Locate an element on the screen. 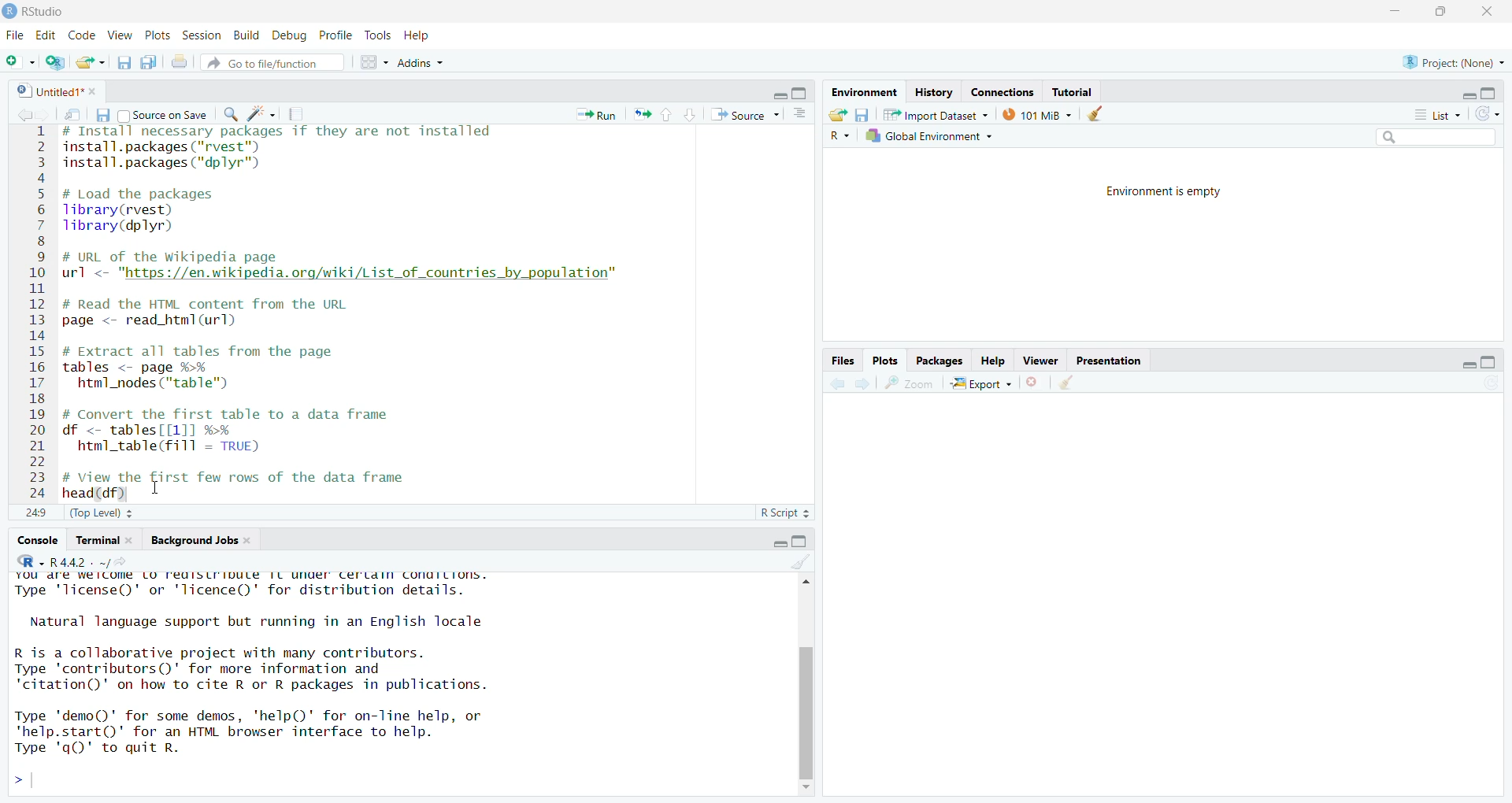 This screenshot has height=803, width=1512. search is located at coordinates (232, 114).